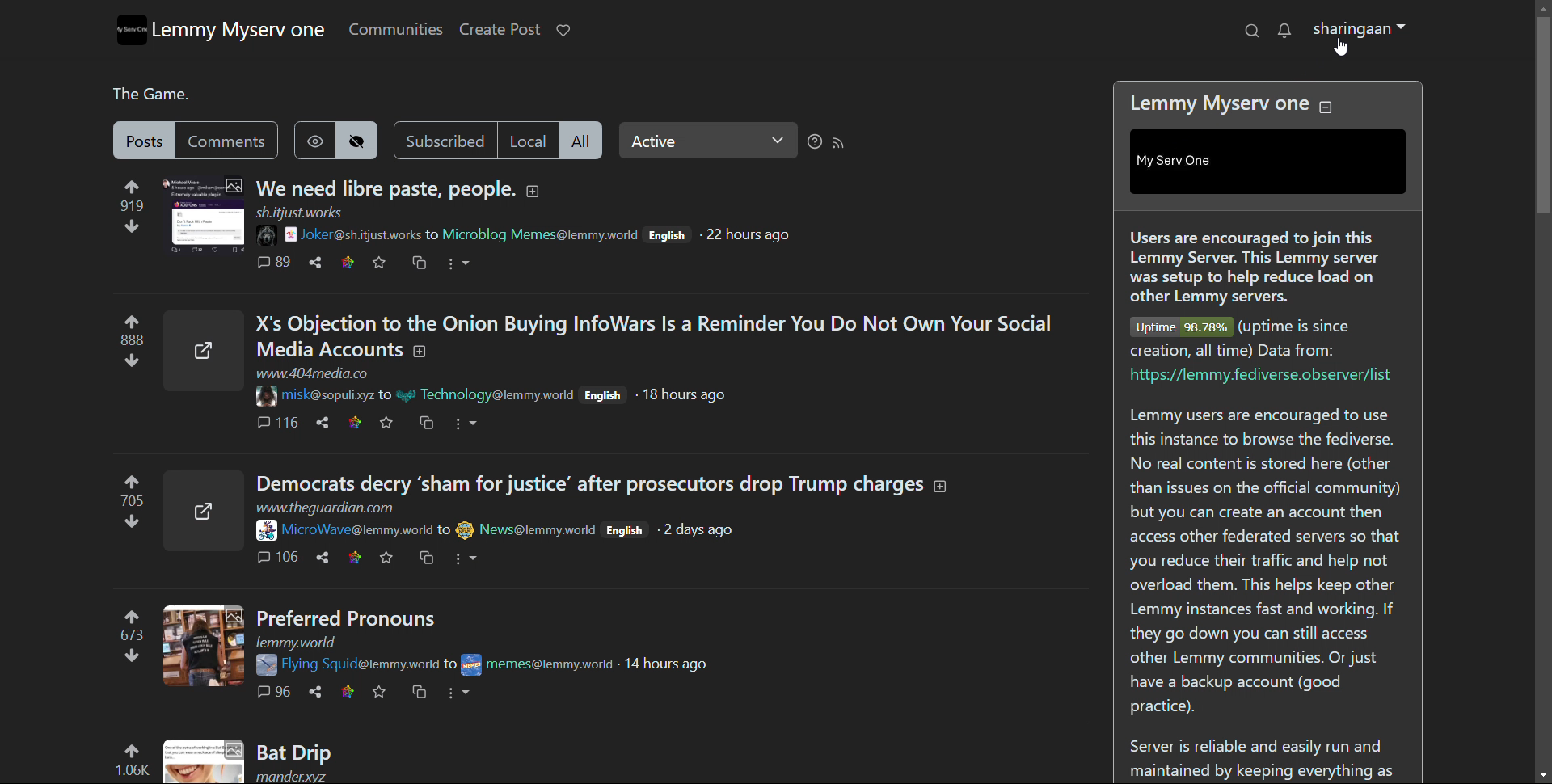 This screenshot has width=1552, height=784. I want to click on poster username, so click(553, 664).